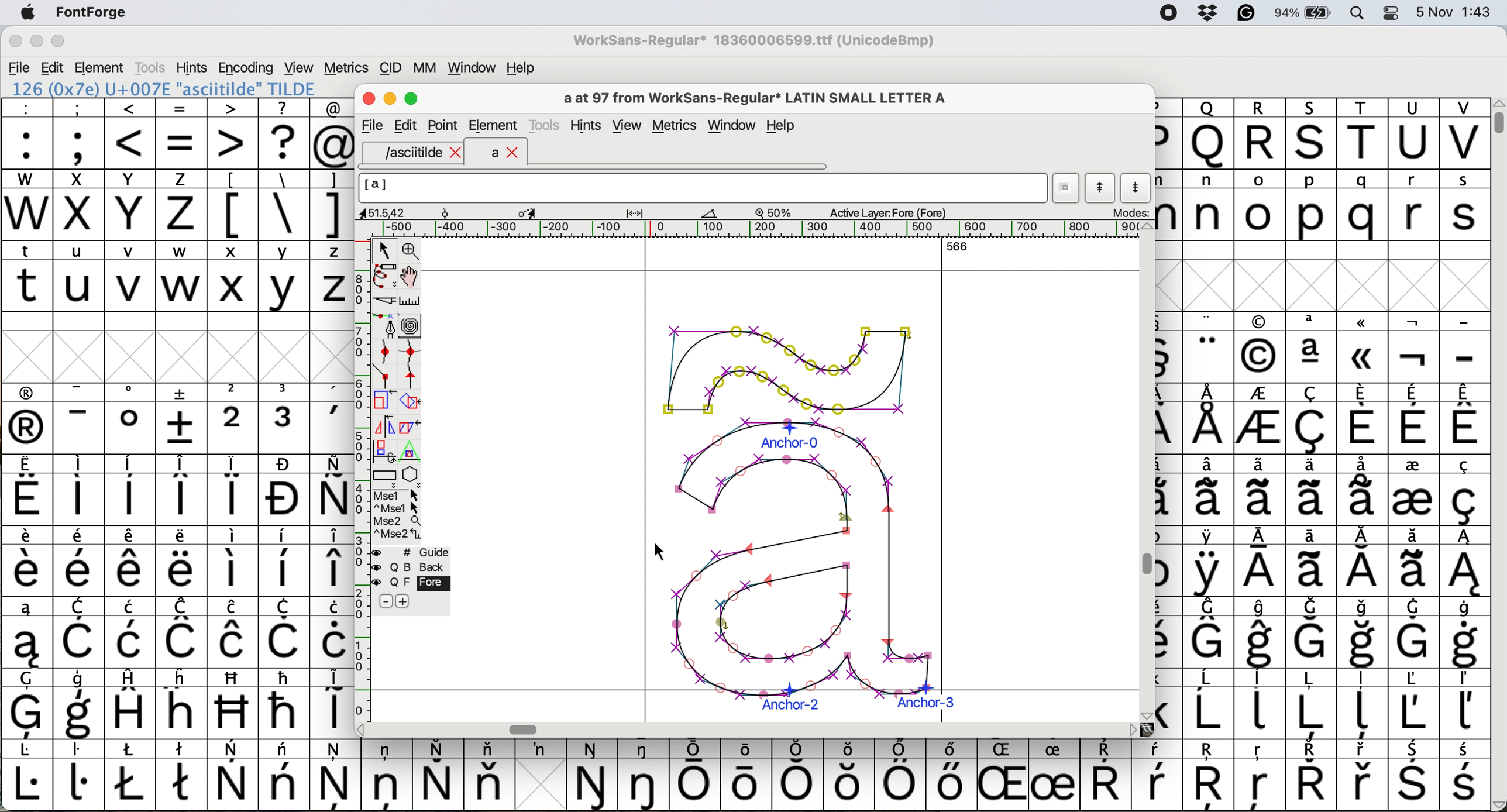 The image size is (1507, 812). Describe the element at coordinates (386, 248) in the screenshot. I see `select` at that location.